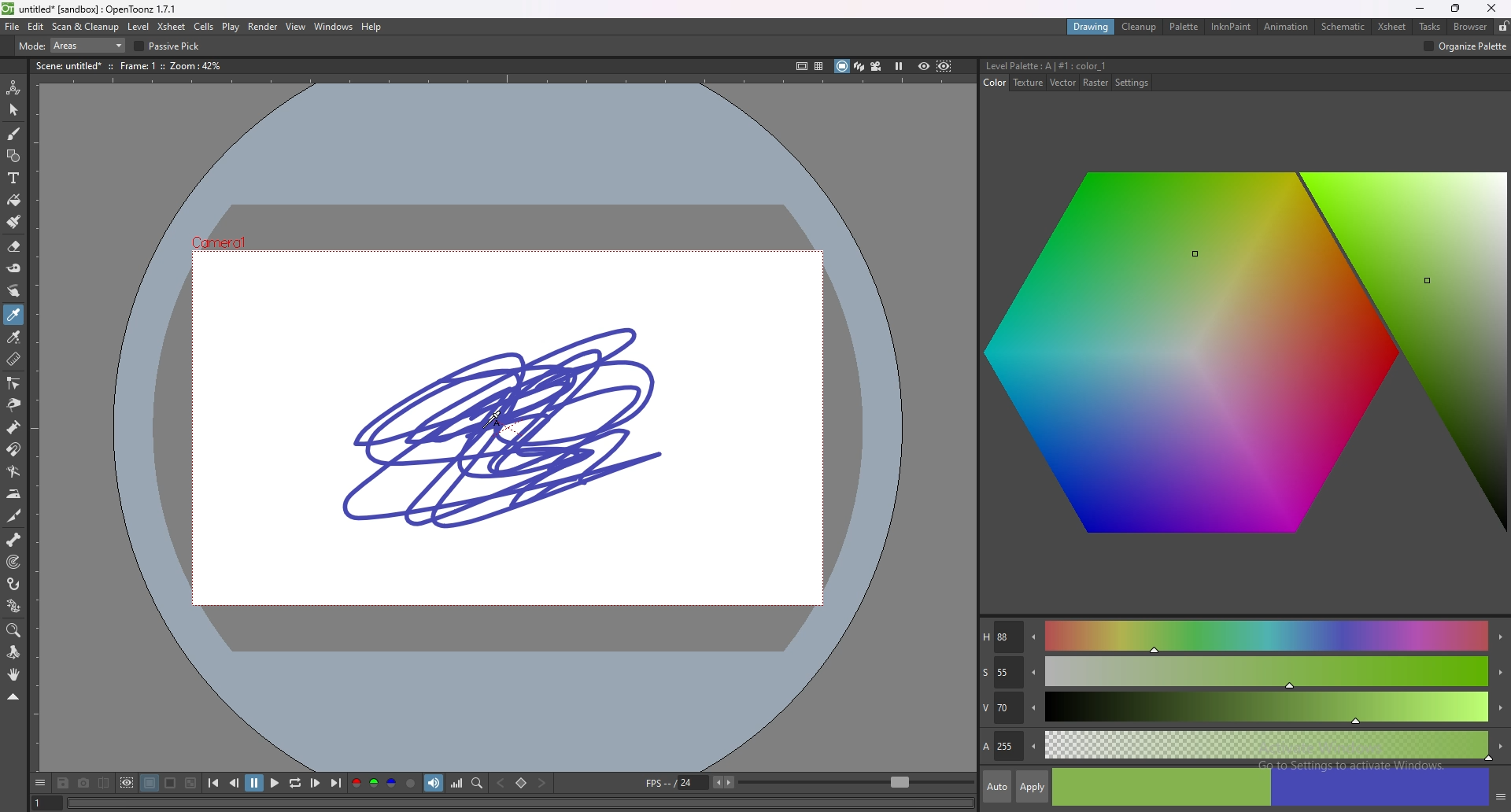 Image resolution: width=1511 pixels, height=812 pixels. Describe the element at coordinates (1244, 744) in the screenshot. I see `alpha` at that location.